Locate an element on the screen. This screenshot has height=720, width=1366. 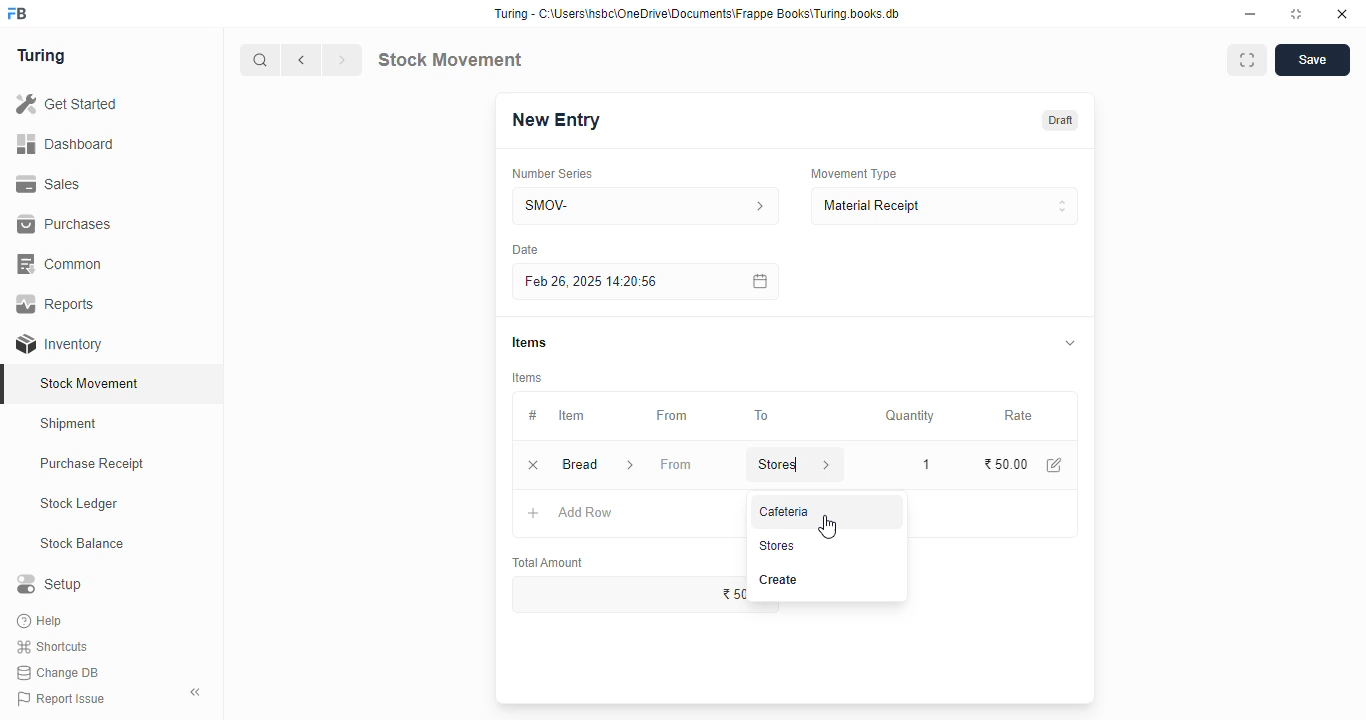
report issue is located at coordinates (61, 698).